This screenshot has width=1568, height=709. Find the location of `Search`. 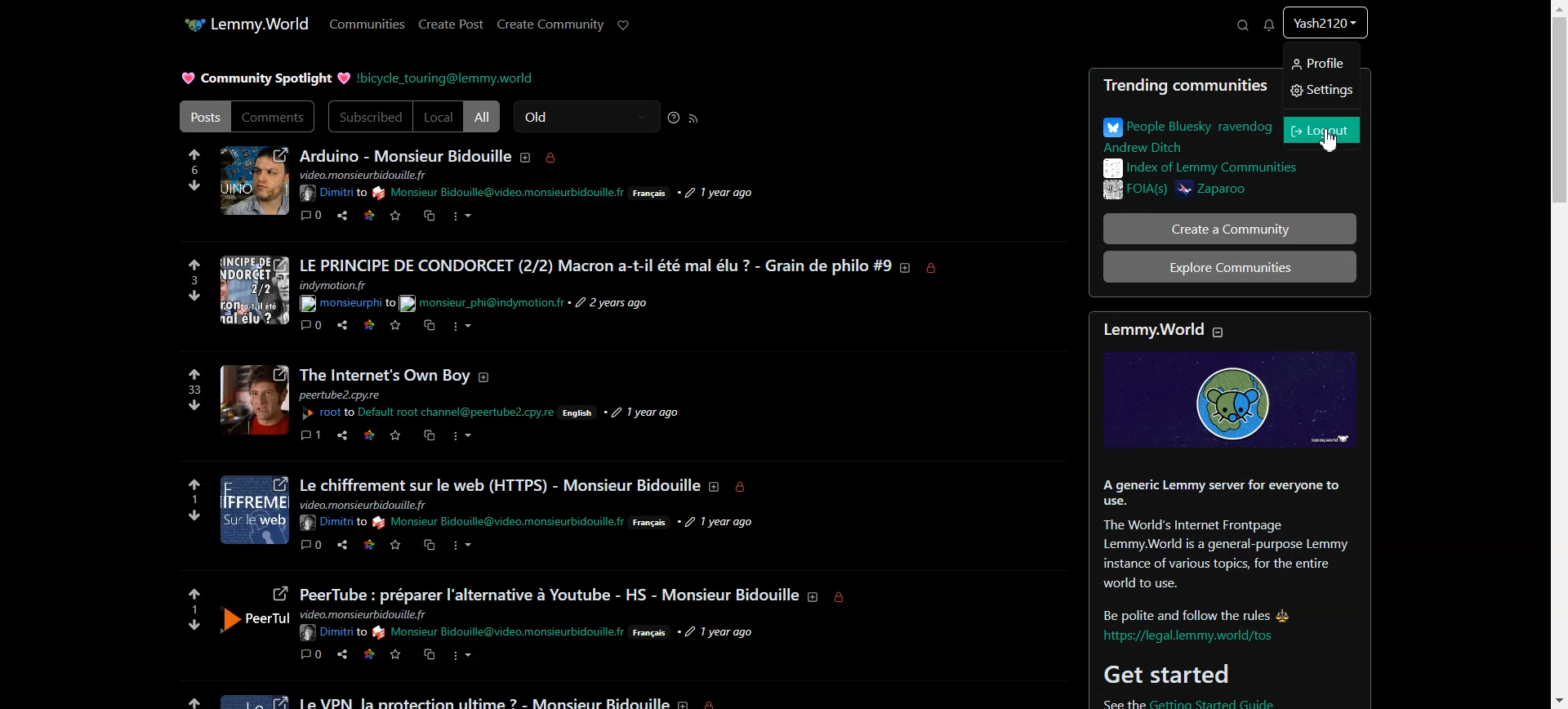

Search is located at coordinates (1241, 25).